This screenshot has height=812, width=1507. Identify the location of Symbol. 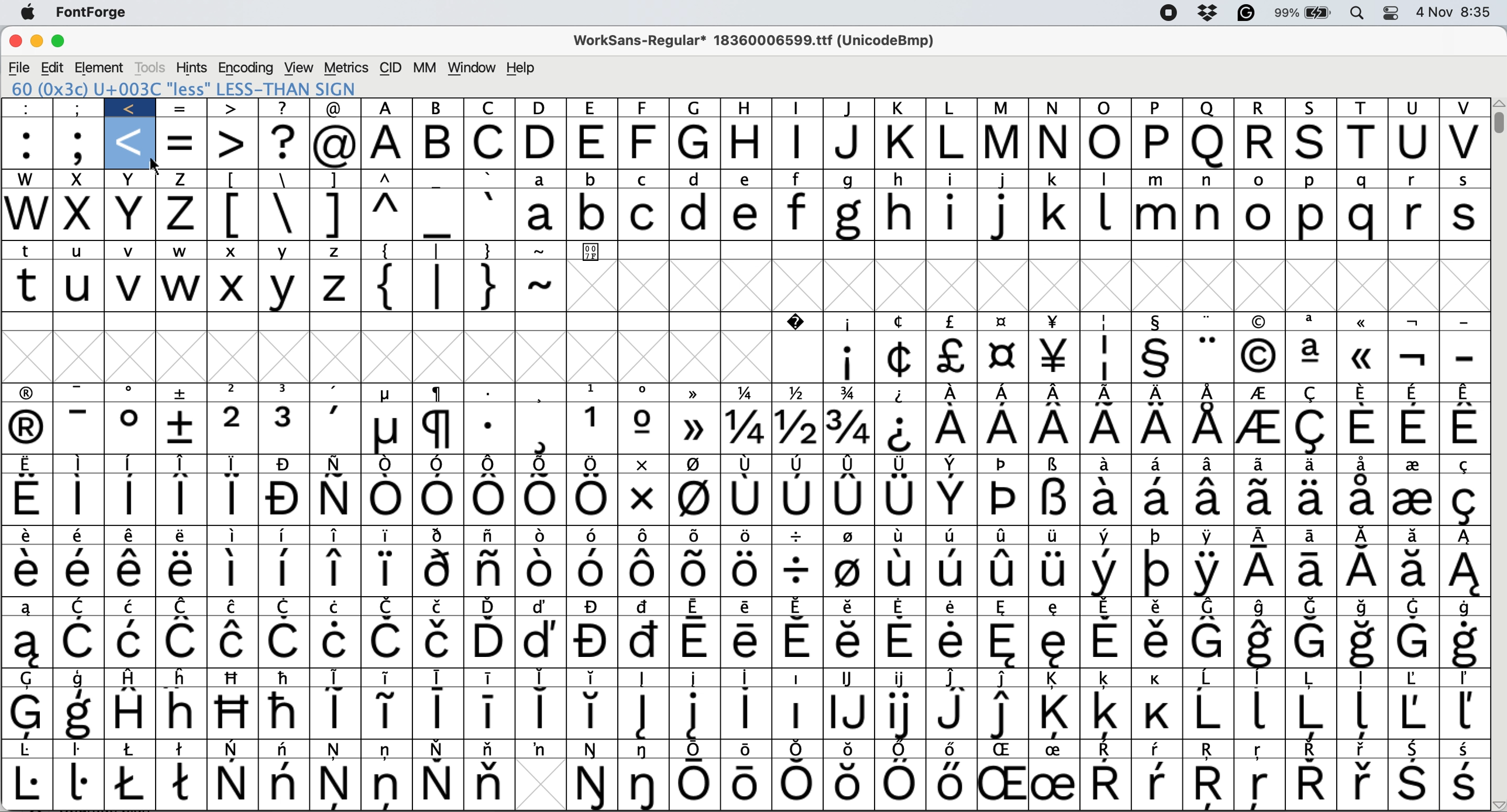
(494, 748).